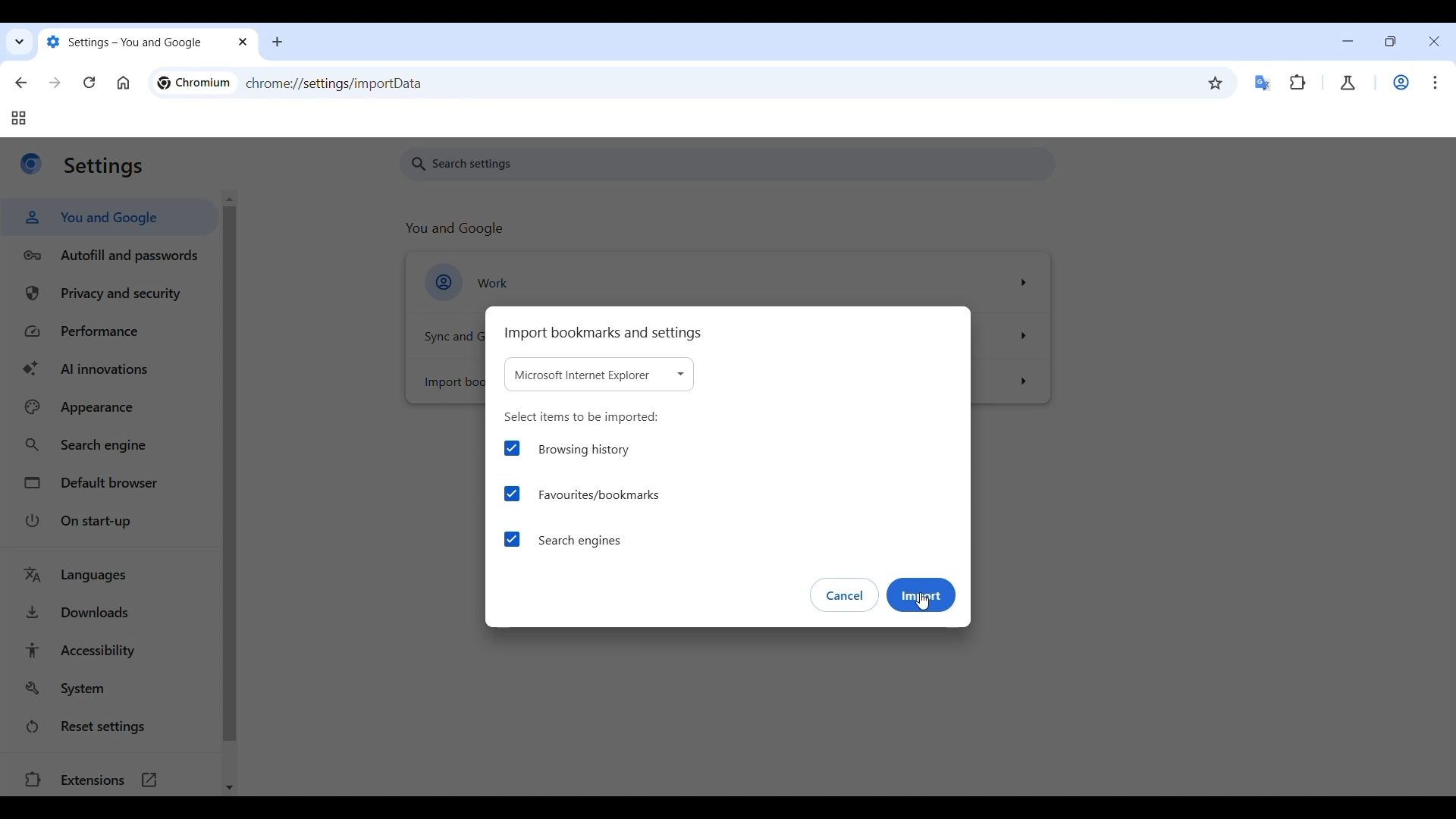 This screenshot has width=1456, height=819. I want to click on Indicates select items to be imported, so click(582, 418).